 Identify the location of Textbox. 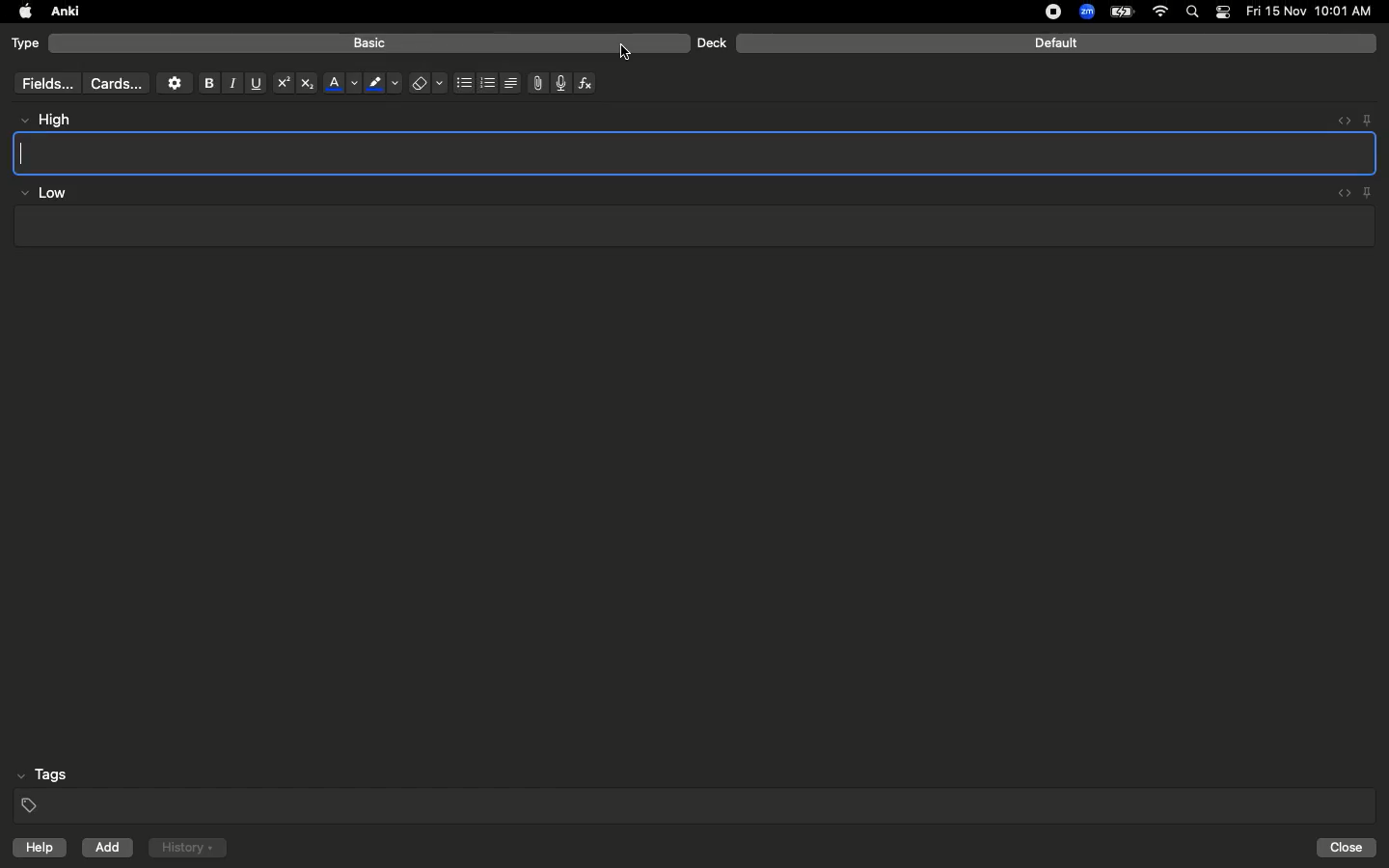
(696, 152).